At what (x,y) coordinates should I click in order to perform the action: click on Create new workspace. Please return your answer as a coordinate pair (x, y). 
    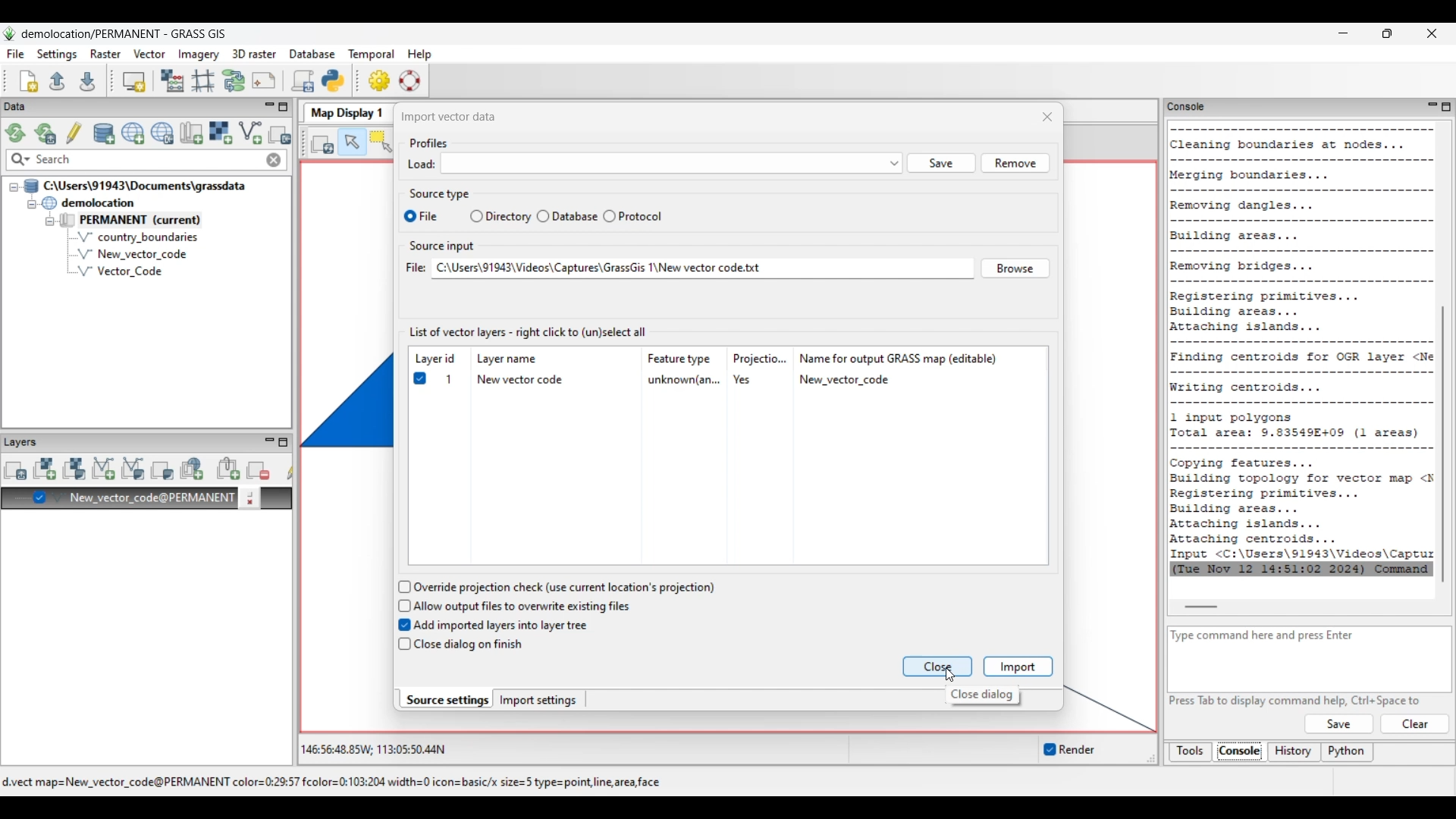
    Looking at the image, I should click on (30, 81).